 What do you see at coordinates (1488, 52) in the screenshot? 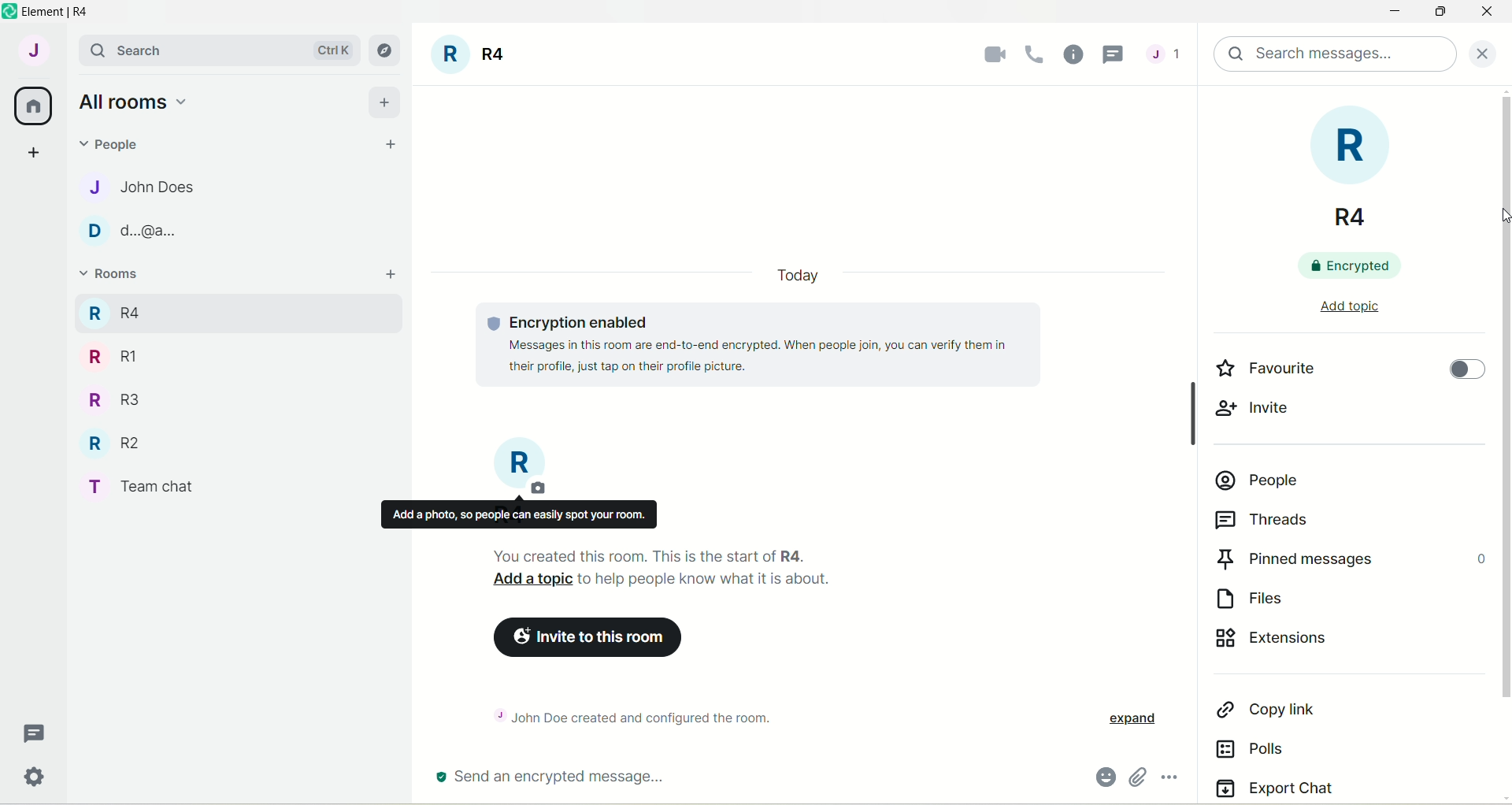
I see `close` at bounding box center [1488, 52].